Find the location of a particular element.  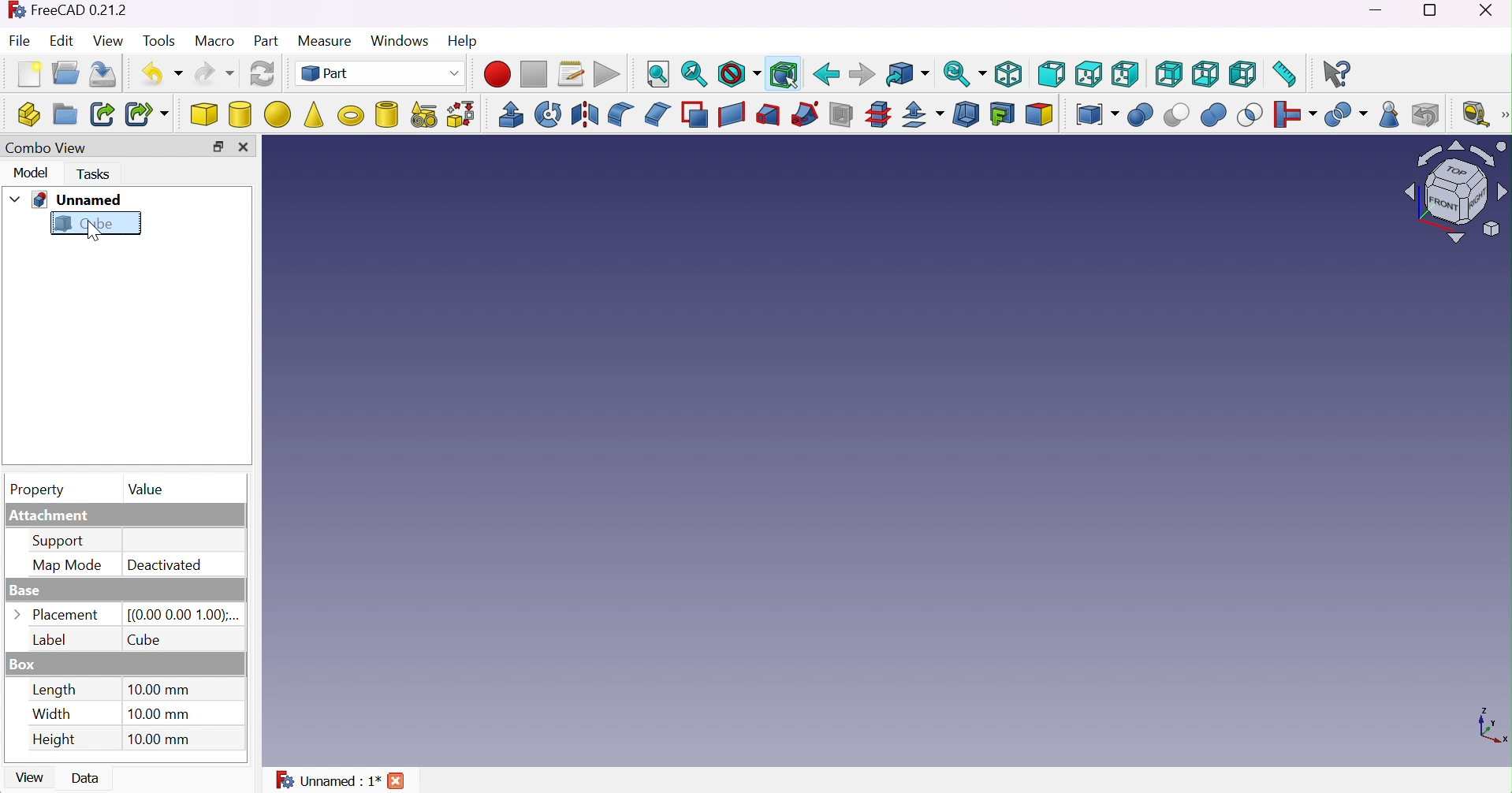

Minimize is located at coordinates (1367, 9).